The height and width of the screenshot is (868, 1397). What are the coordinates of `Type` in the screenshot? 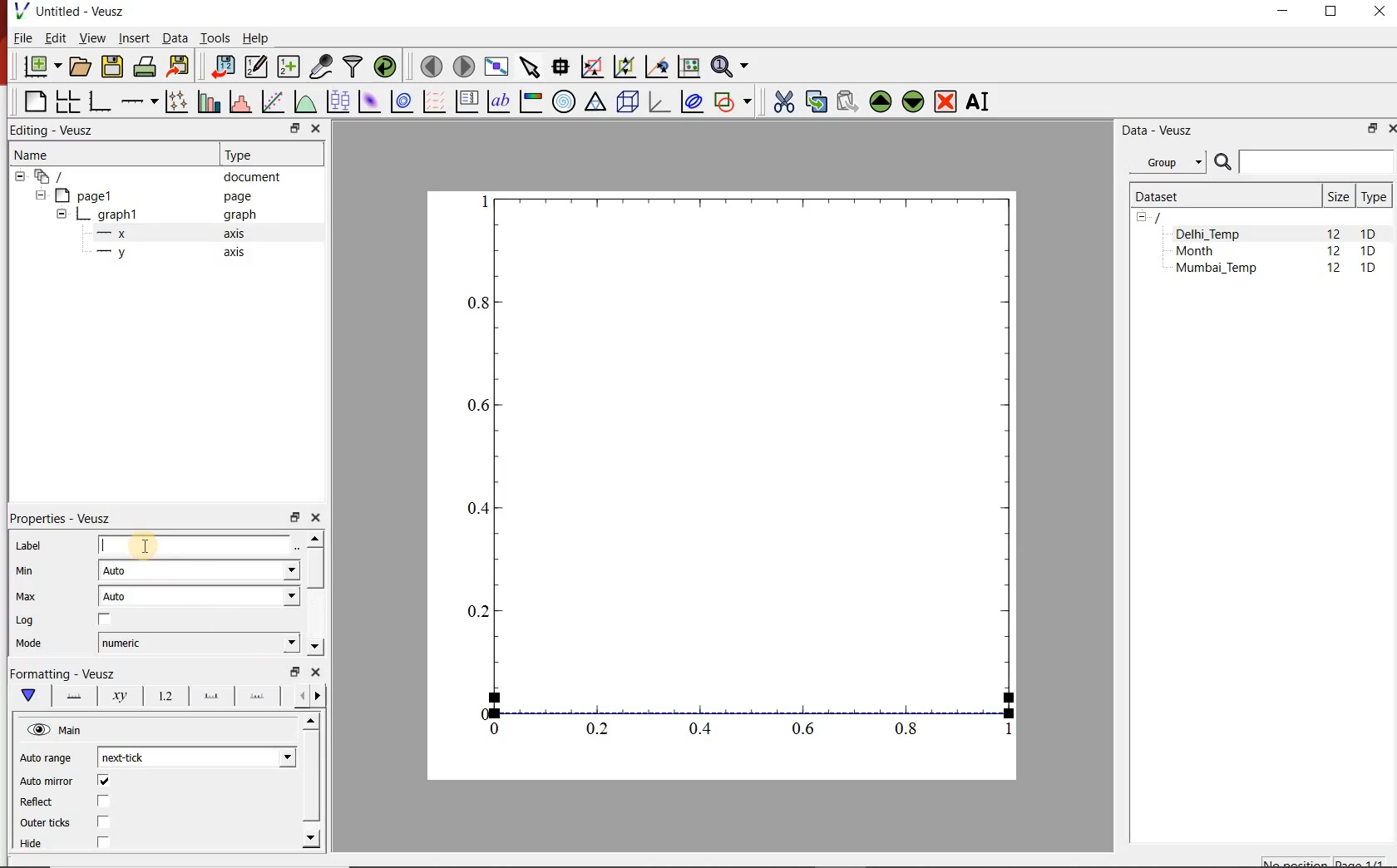 It's located at (245, 155).